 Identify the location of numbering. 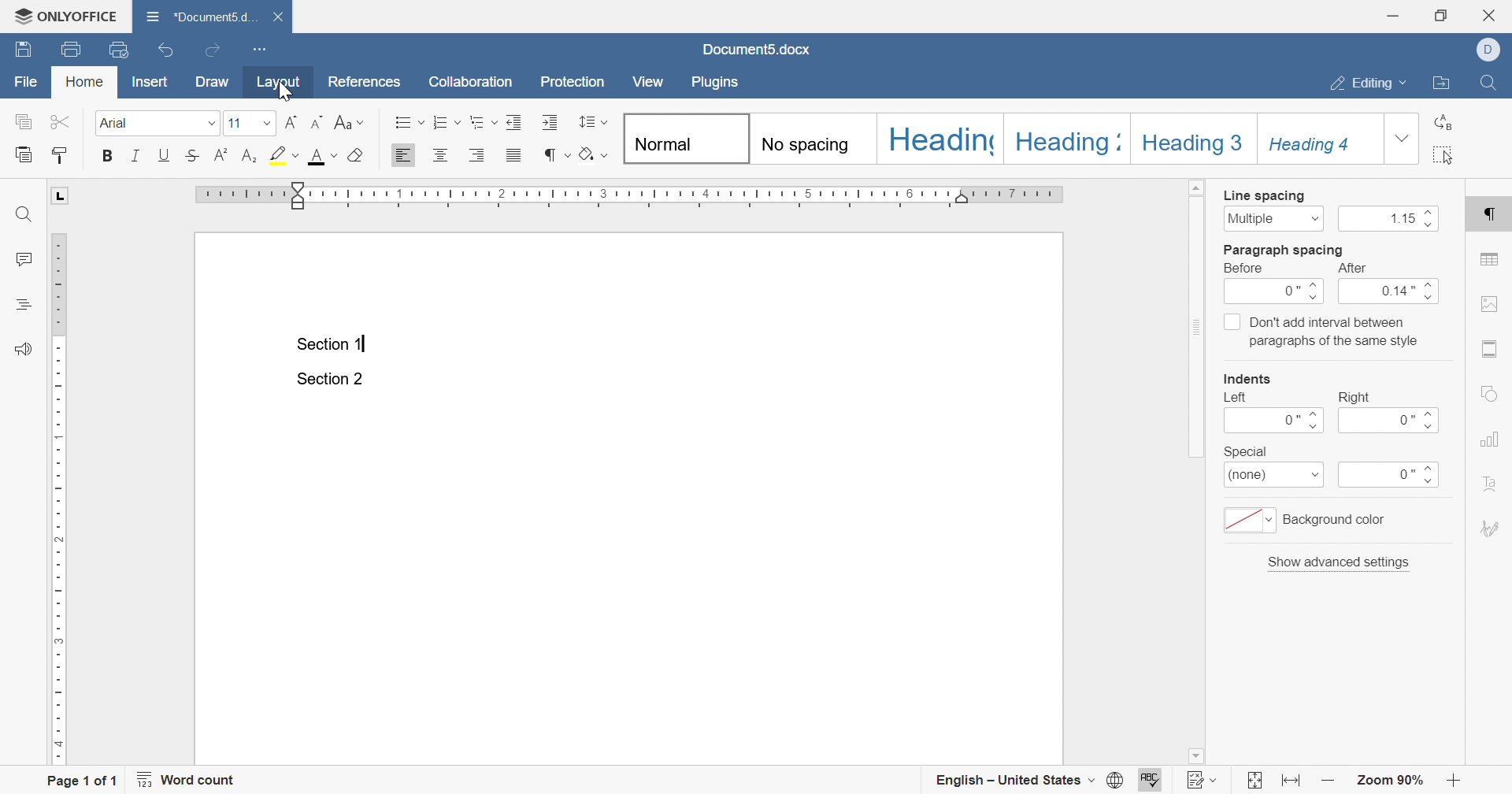
(447, 123).